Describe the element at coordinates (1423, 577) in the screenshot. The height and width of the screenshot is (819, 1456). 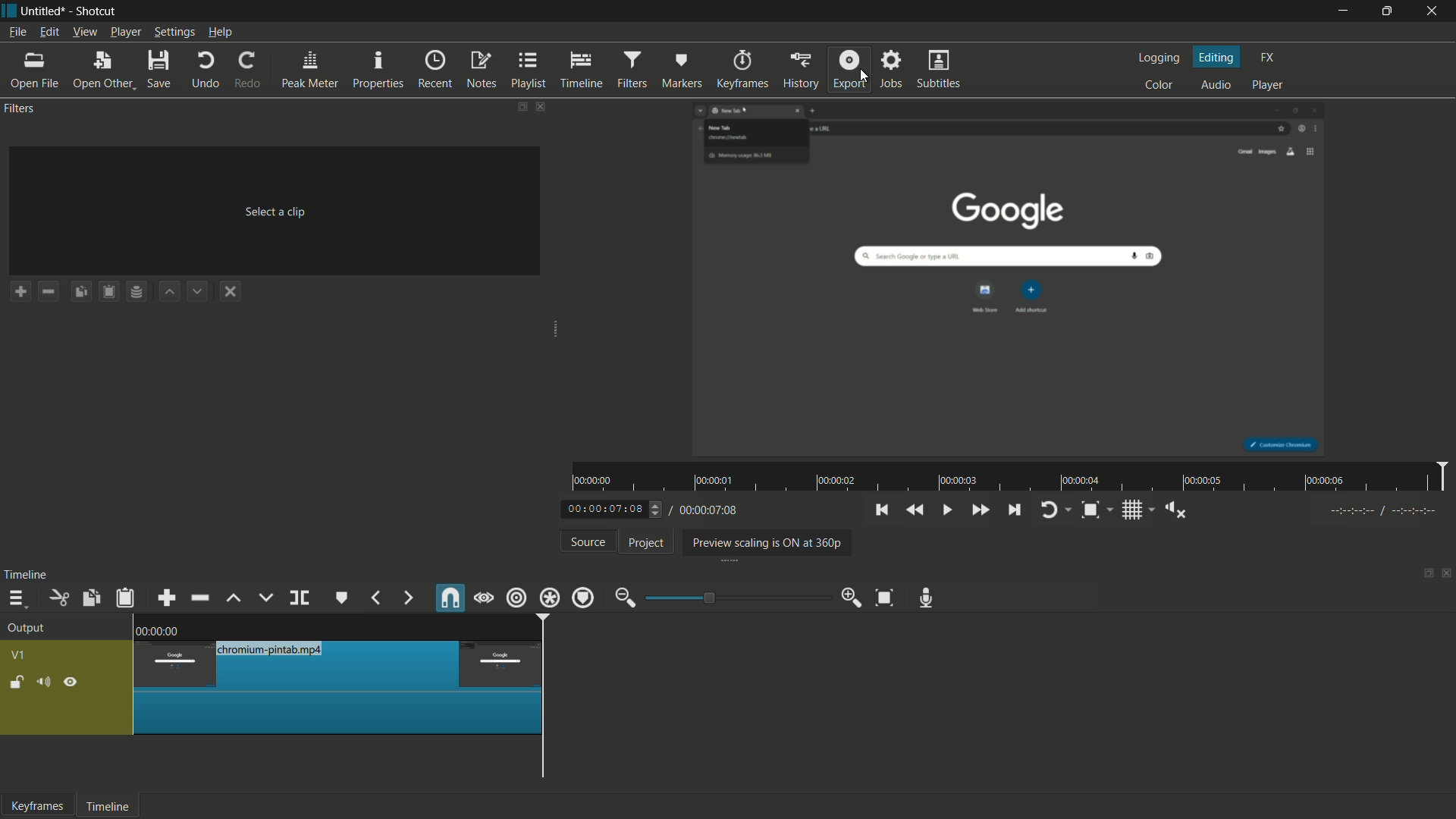
I see `change layout` at that location.